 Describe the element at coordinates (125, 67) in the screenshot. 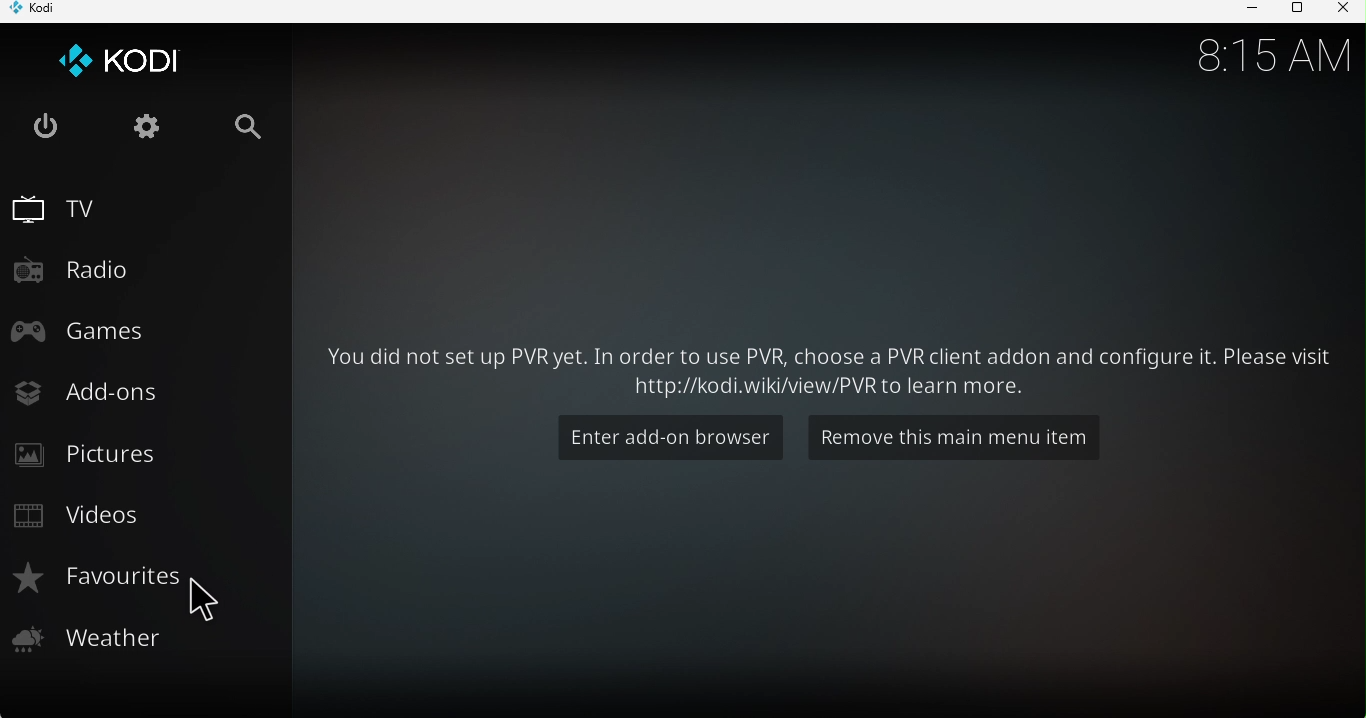

I see `KODI icon` at that location.